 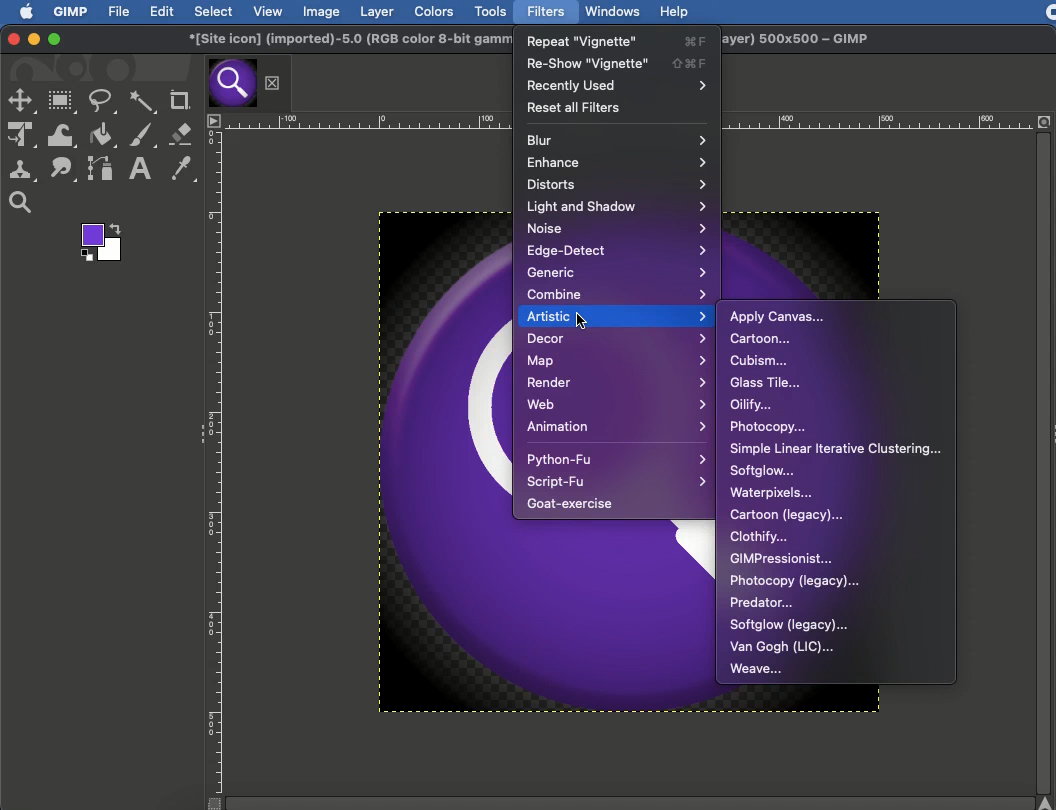 What do you see at coordinates (617, 482) in the screenshot?
I see `Script fu` at bounding box center [617, 482].